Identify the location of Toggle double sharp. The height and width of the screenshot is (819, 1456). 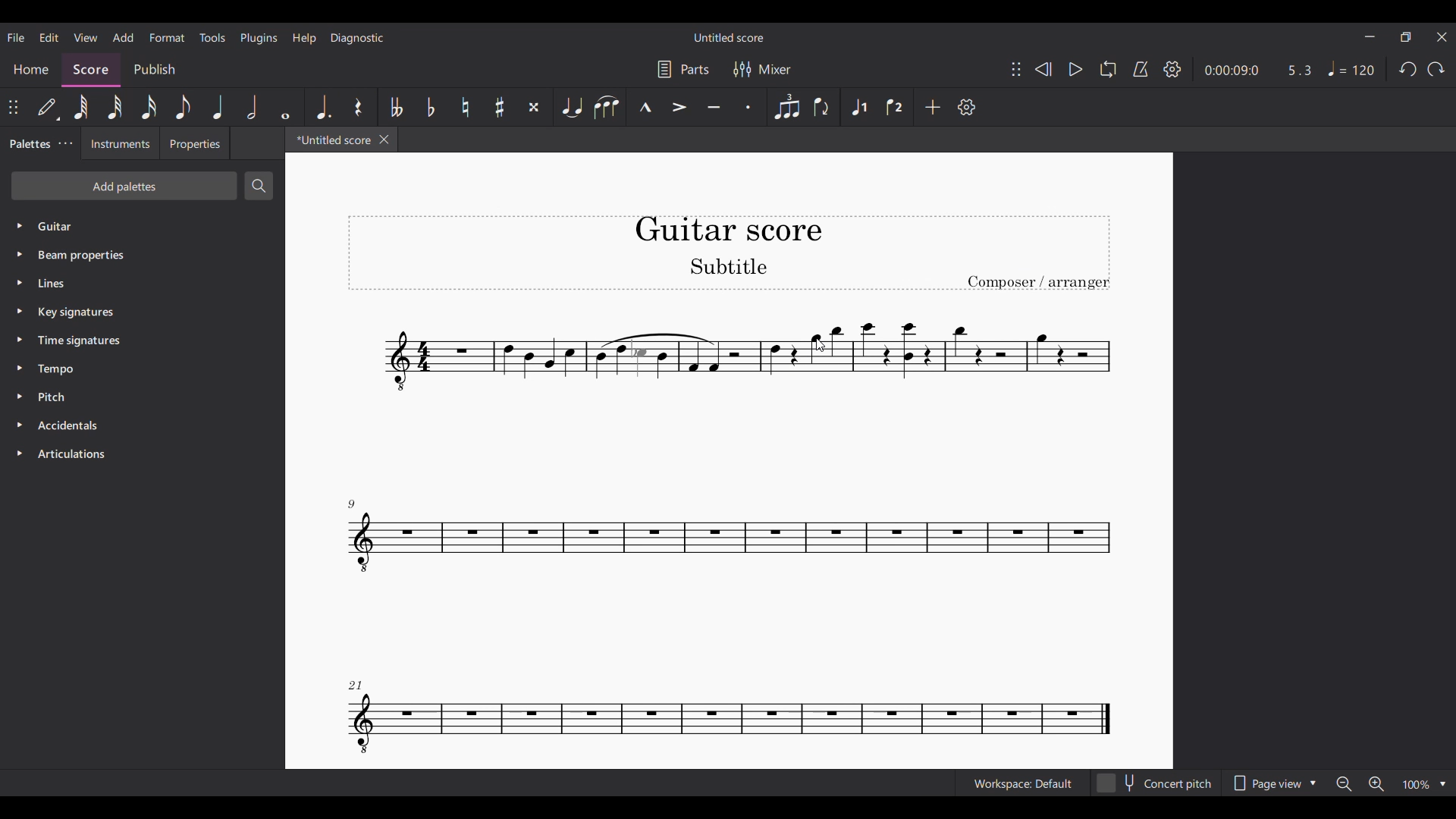
(534, 107).